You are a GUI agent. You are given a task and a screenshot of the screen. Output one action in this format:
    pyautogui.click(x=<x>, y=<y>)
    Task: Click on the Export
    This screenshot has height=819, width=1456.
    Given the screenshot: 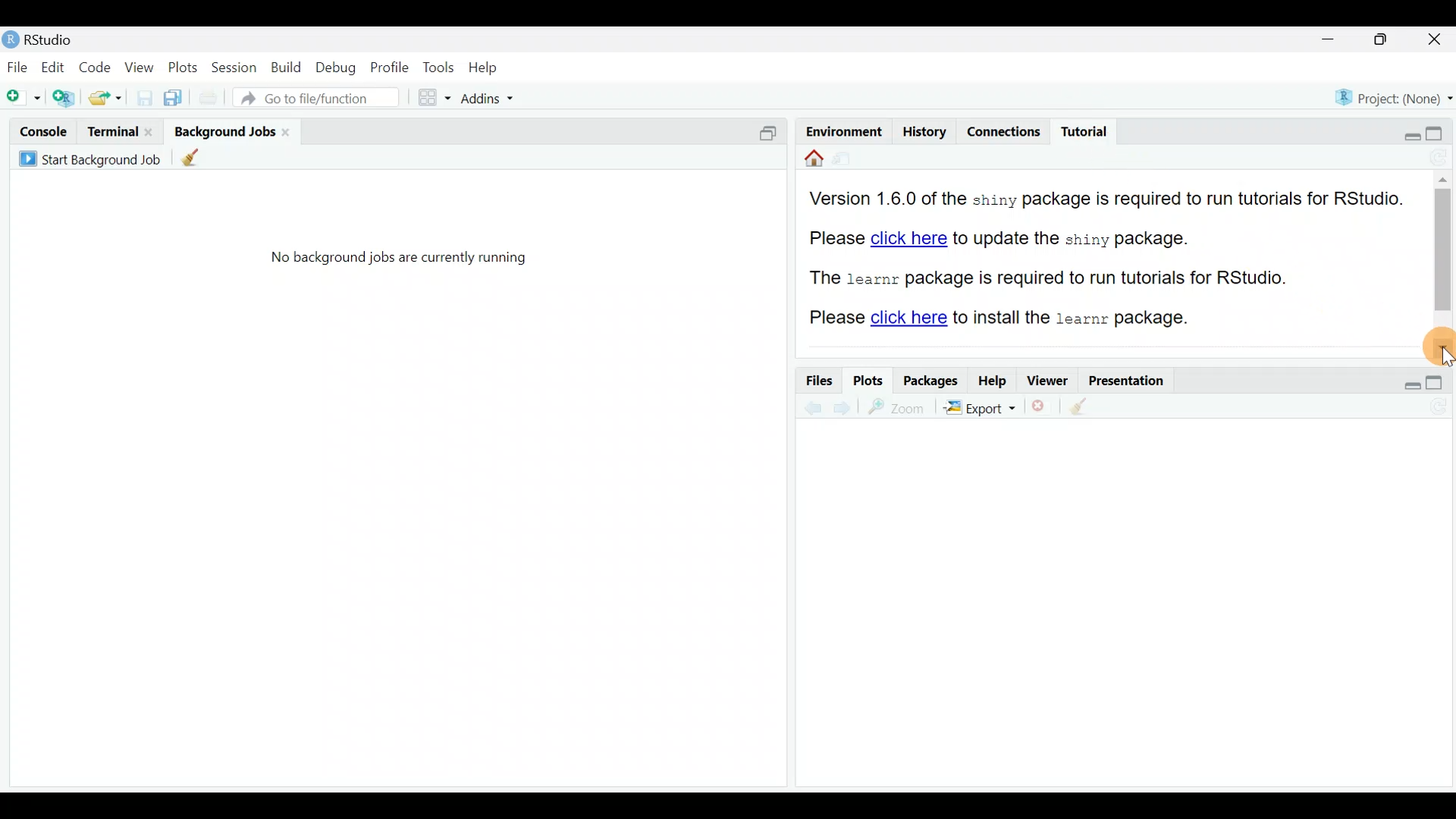 What is the action you would take?
    pyautogui.click(x=980, y=408)
    